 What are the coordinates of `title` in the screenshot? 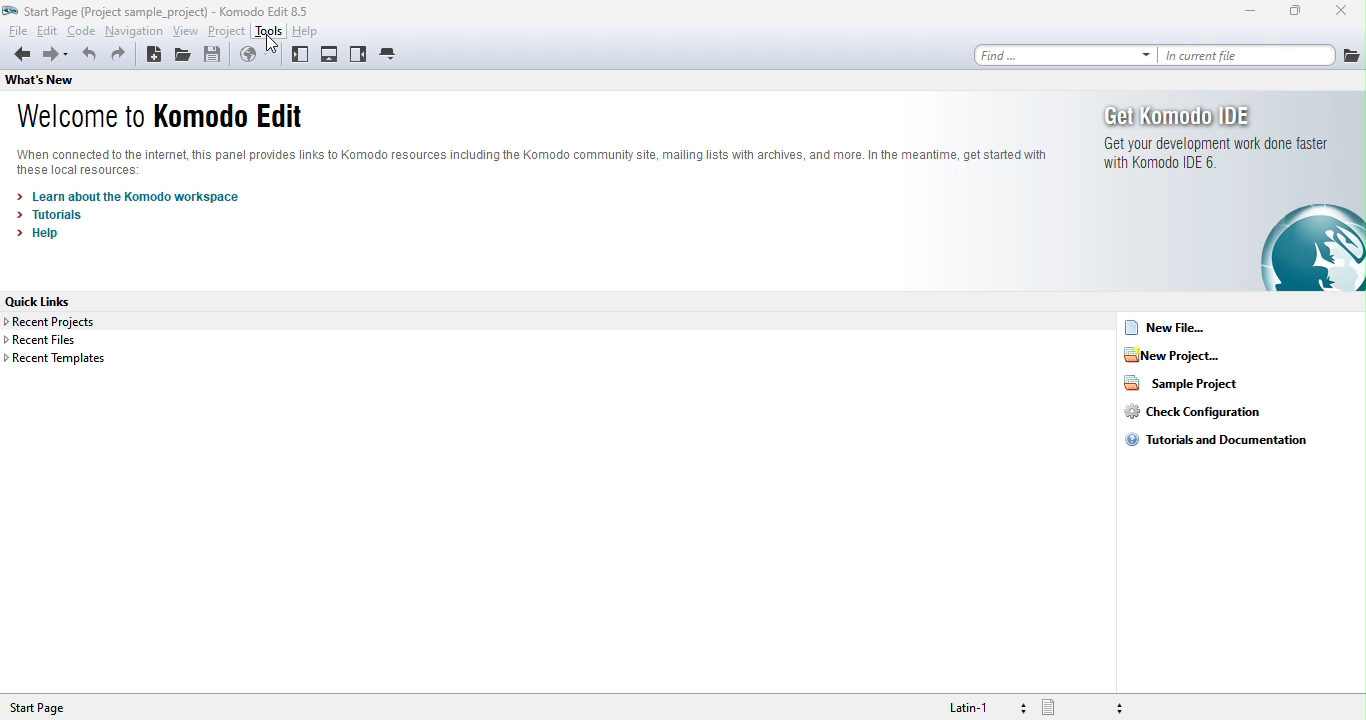 It's located at (159, 10).